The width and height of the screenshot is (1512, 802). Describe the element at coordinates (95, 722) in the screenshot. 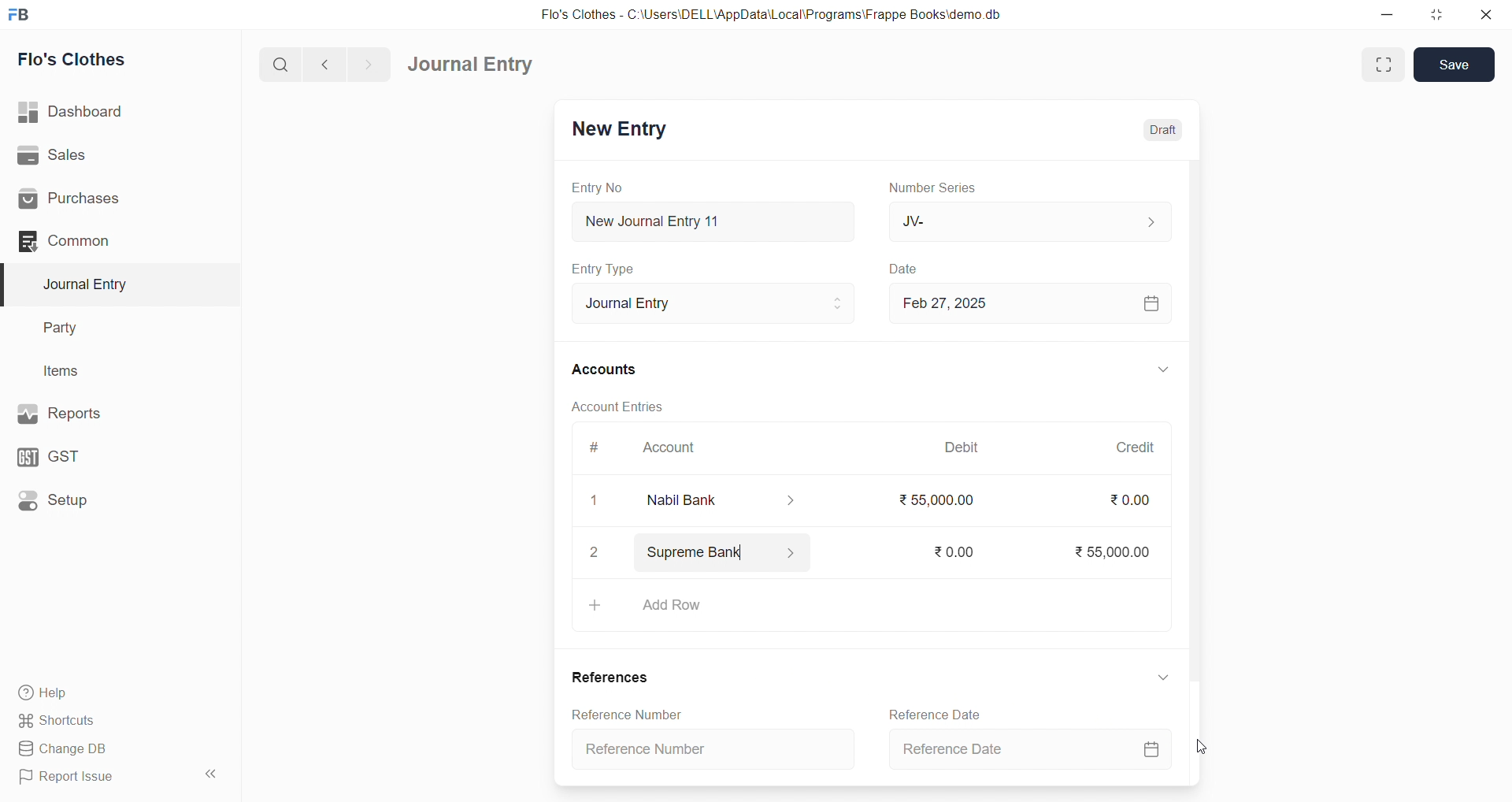

I see `Shortcuts` at that location.